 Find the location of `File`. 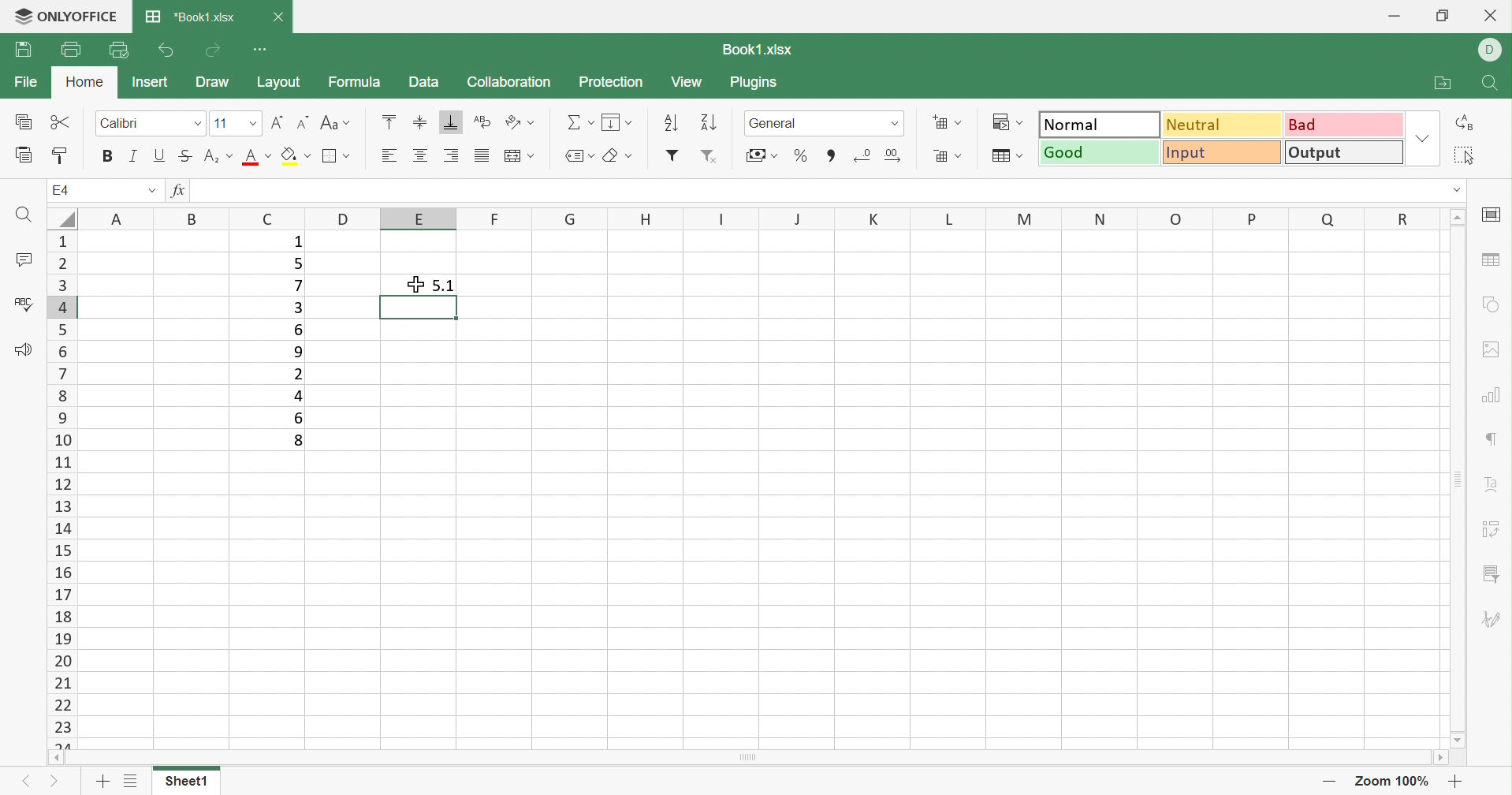

File is located at coordinates (27, 80).